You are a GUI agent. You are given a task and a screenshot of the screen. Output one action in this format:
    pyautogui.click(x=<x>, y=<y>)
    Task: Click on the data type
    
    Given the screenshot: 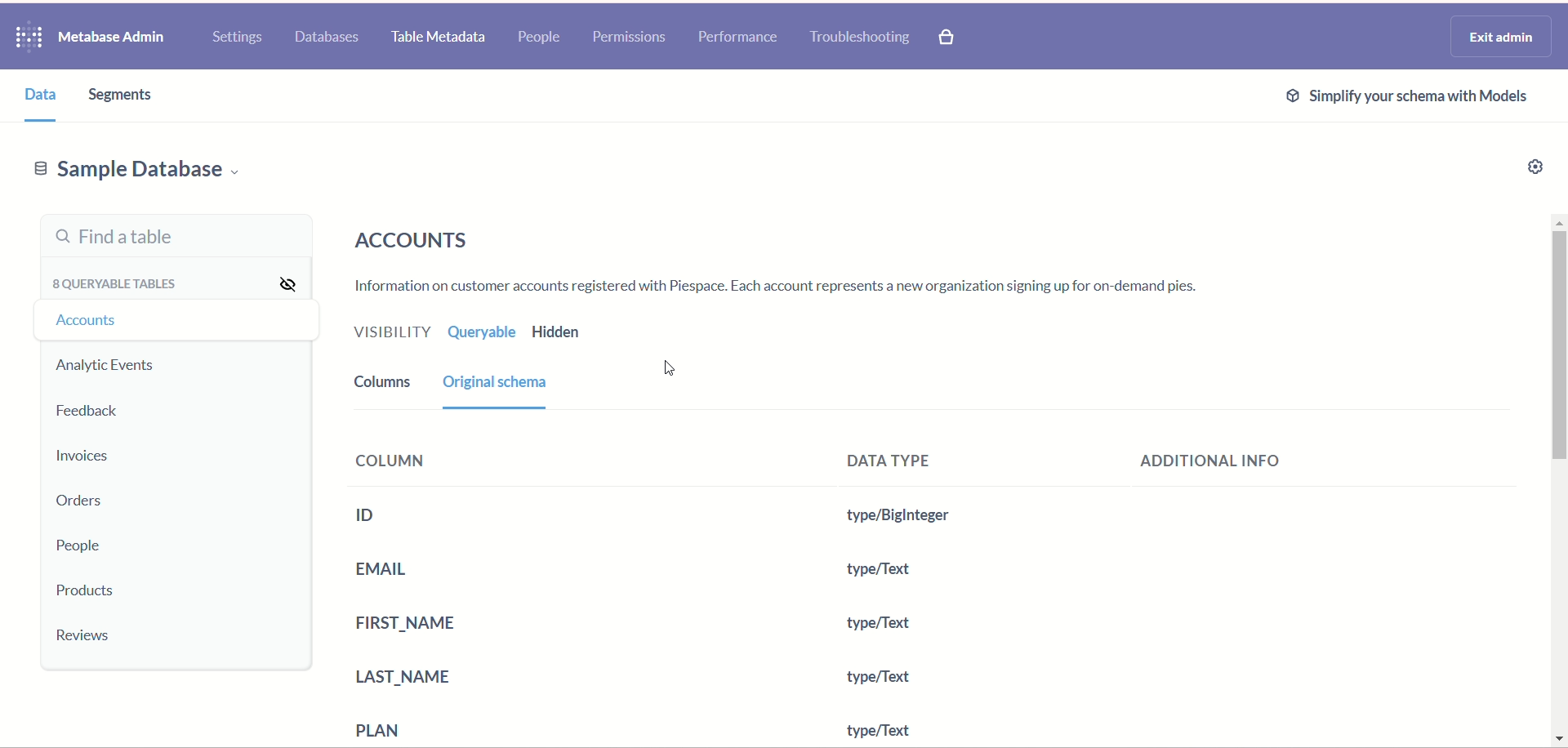 What is the action you would take?
    pyautogui.click(x=889, y=458)
    